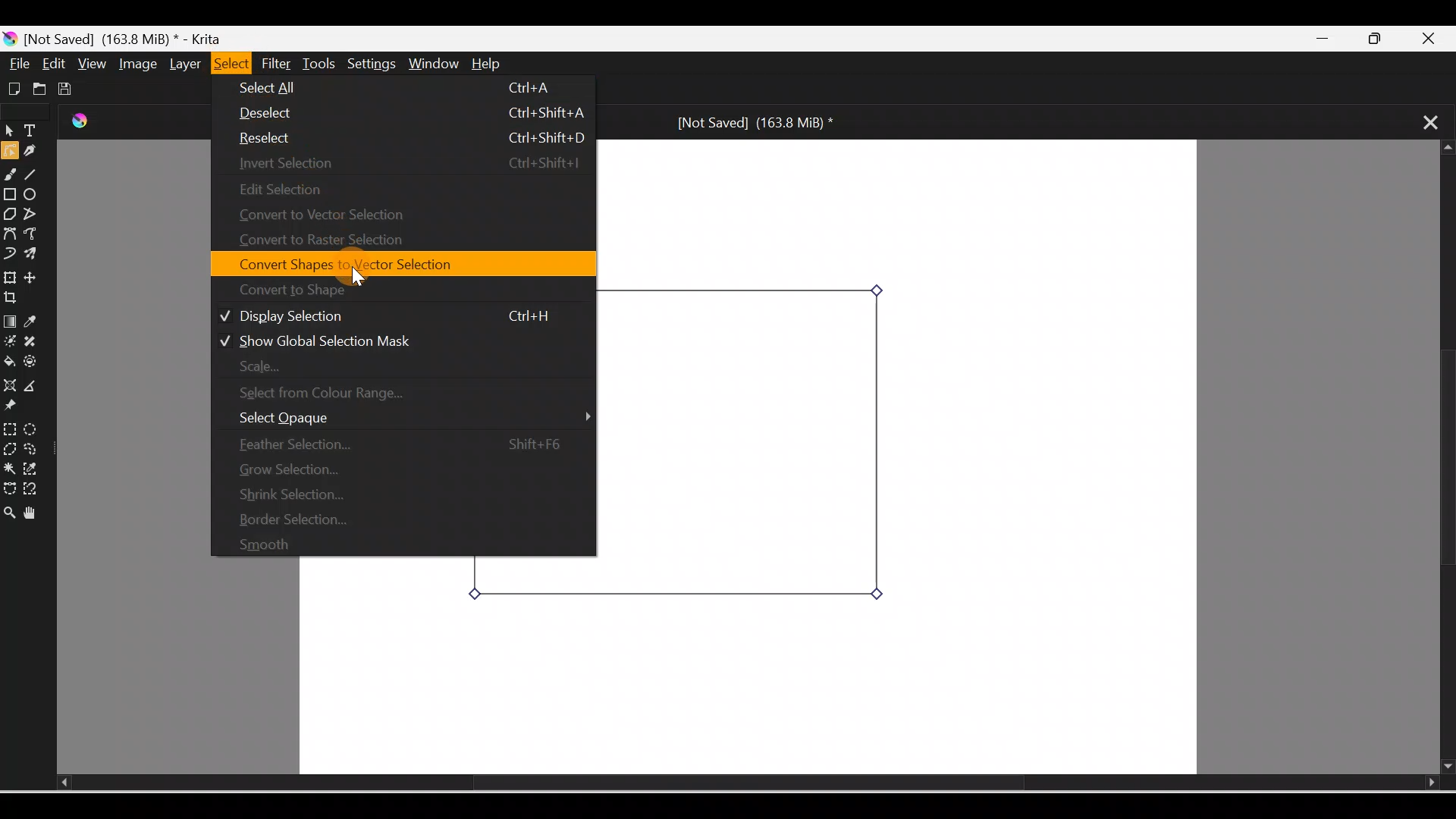 This screenshot has height=819, width=1456. Describe the element at coordinates (135, 64) in the screenshot. I see `Image` at that location.